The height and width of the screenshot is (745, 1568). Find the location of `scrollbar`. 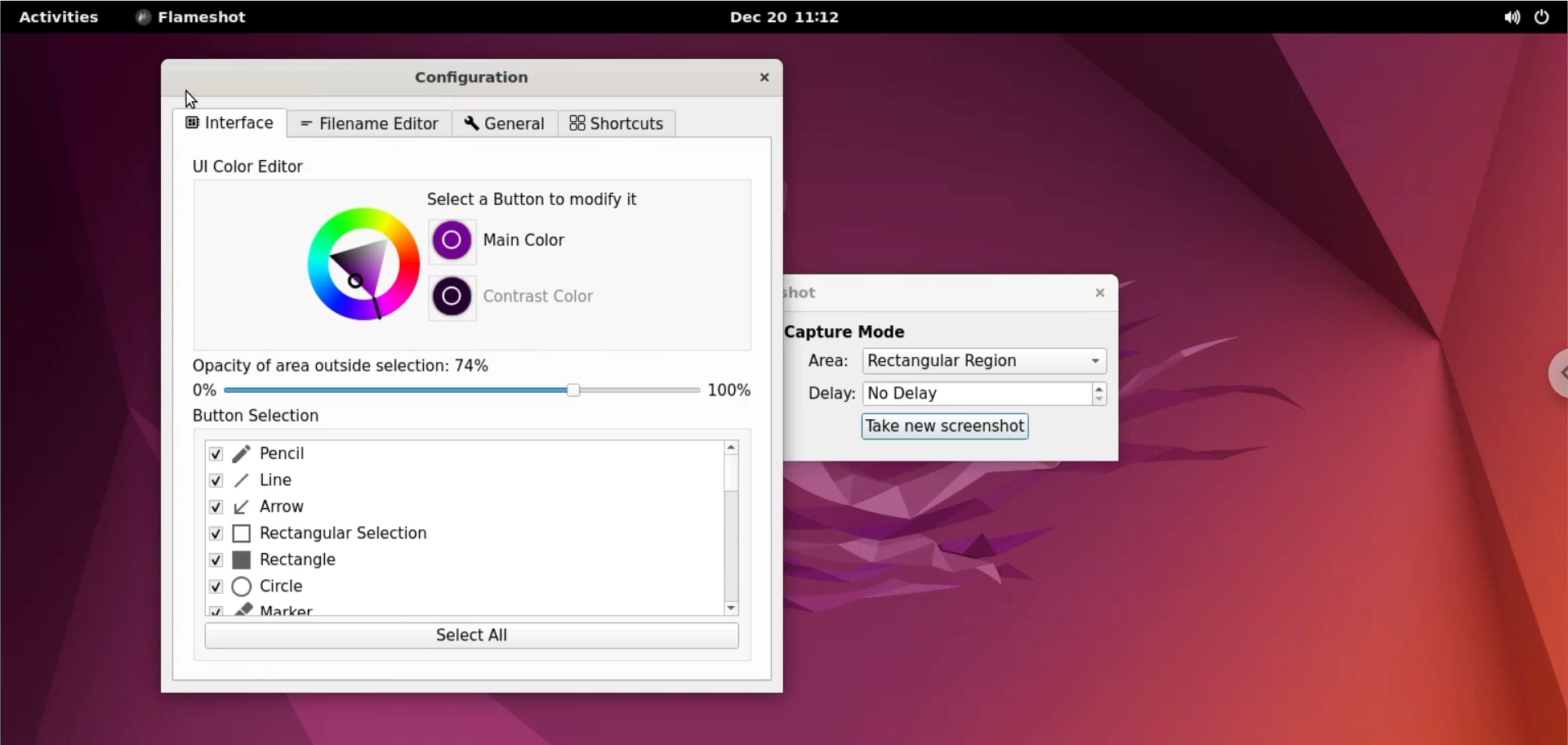

scrollbar is located at coordinates (729, 528).